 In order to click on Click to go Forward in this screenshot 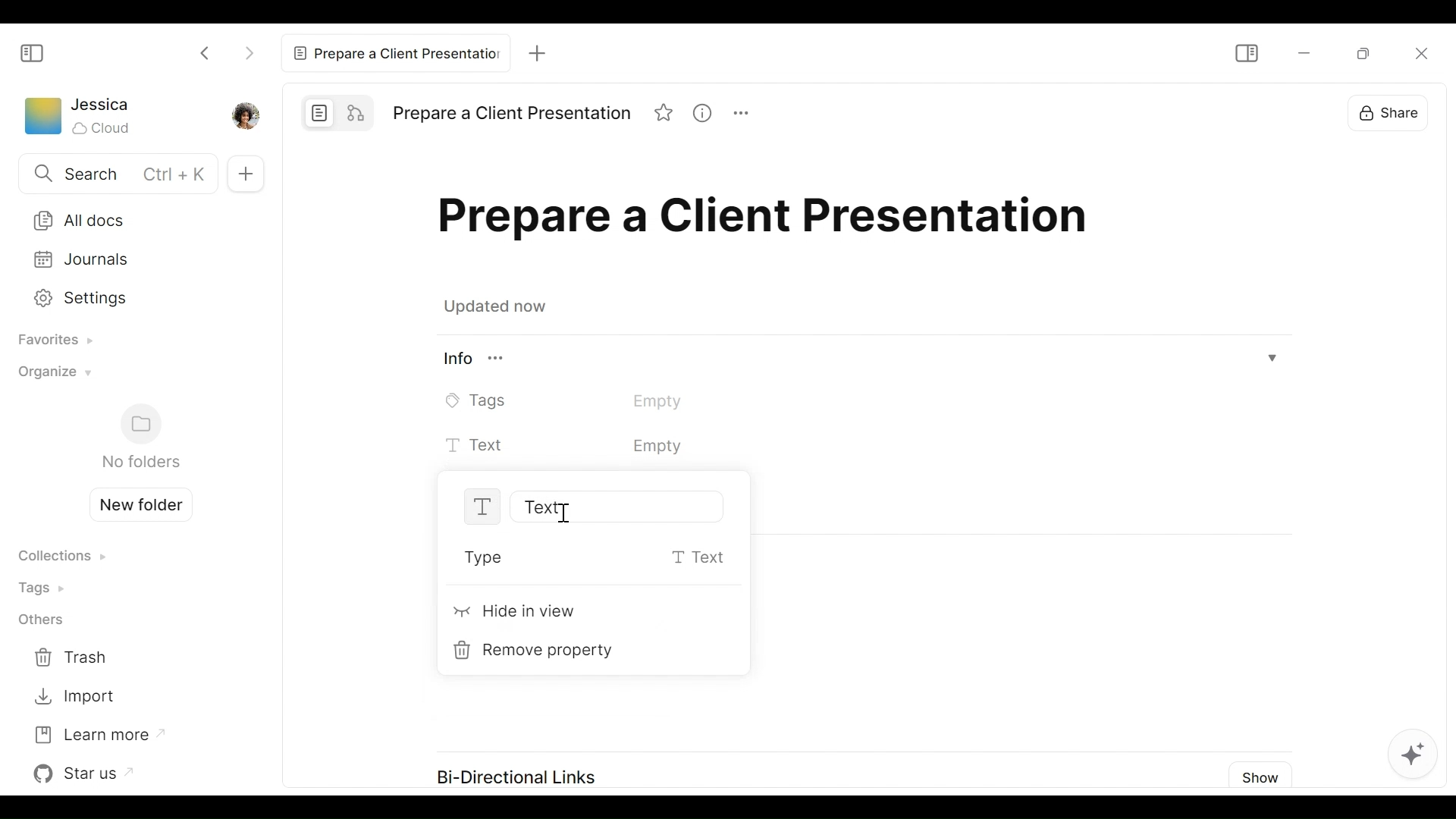, I will do `click(249, 50)`.